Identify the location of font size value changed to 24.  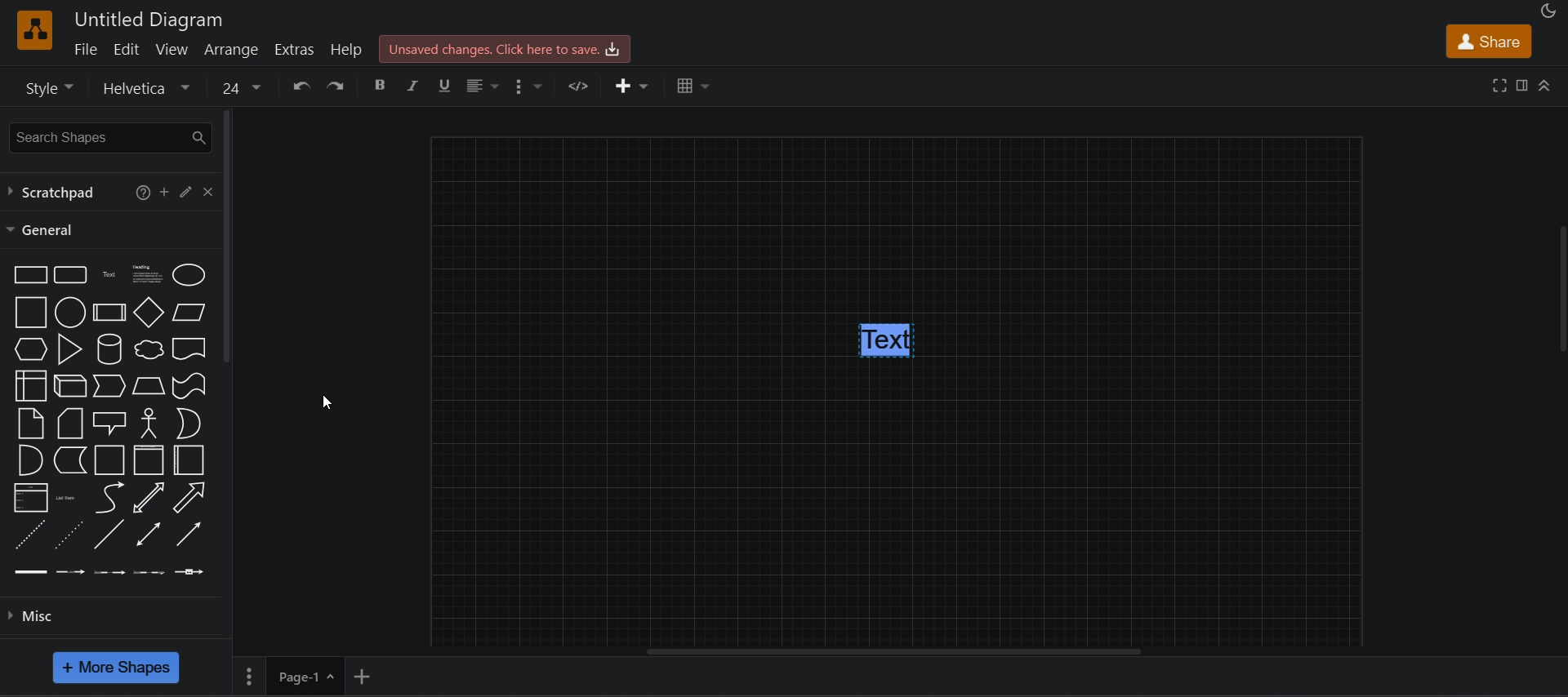
(240, 91).